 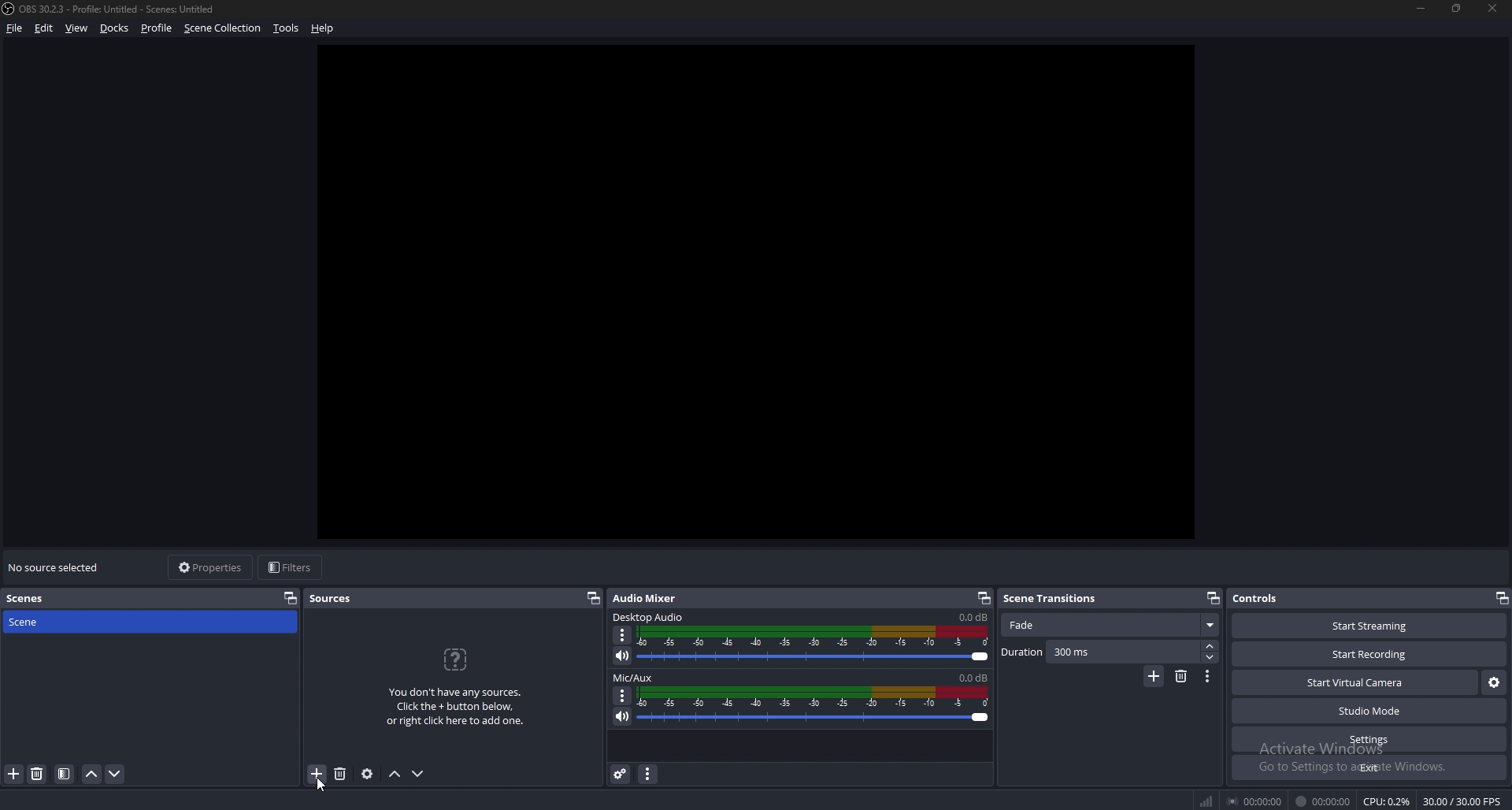 I want to click on Increase duration, so click(x=1212, y=646).